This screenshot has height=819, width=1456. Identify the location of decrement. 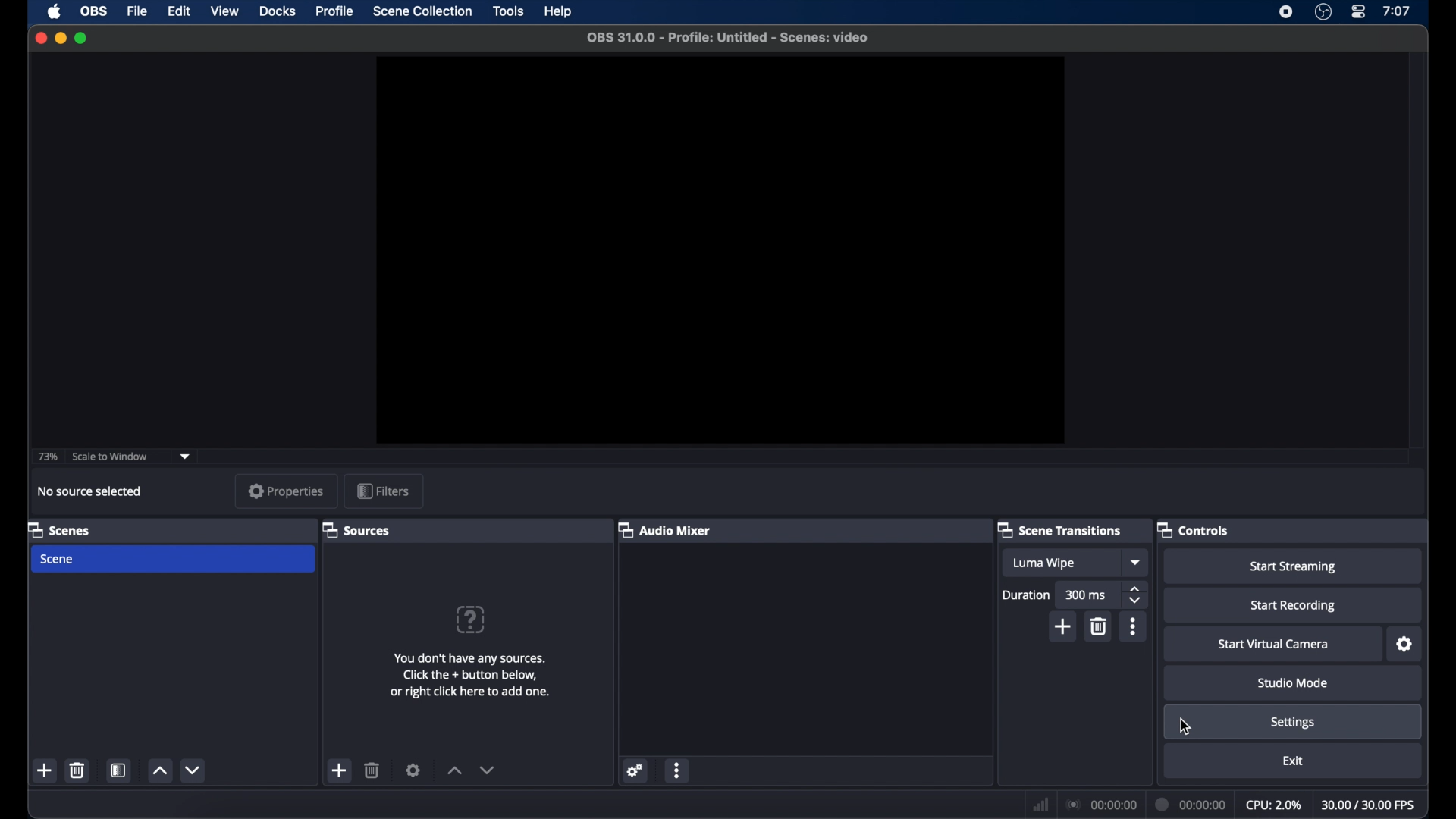
(193, 770).